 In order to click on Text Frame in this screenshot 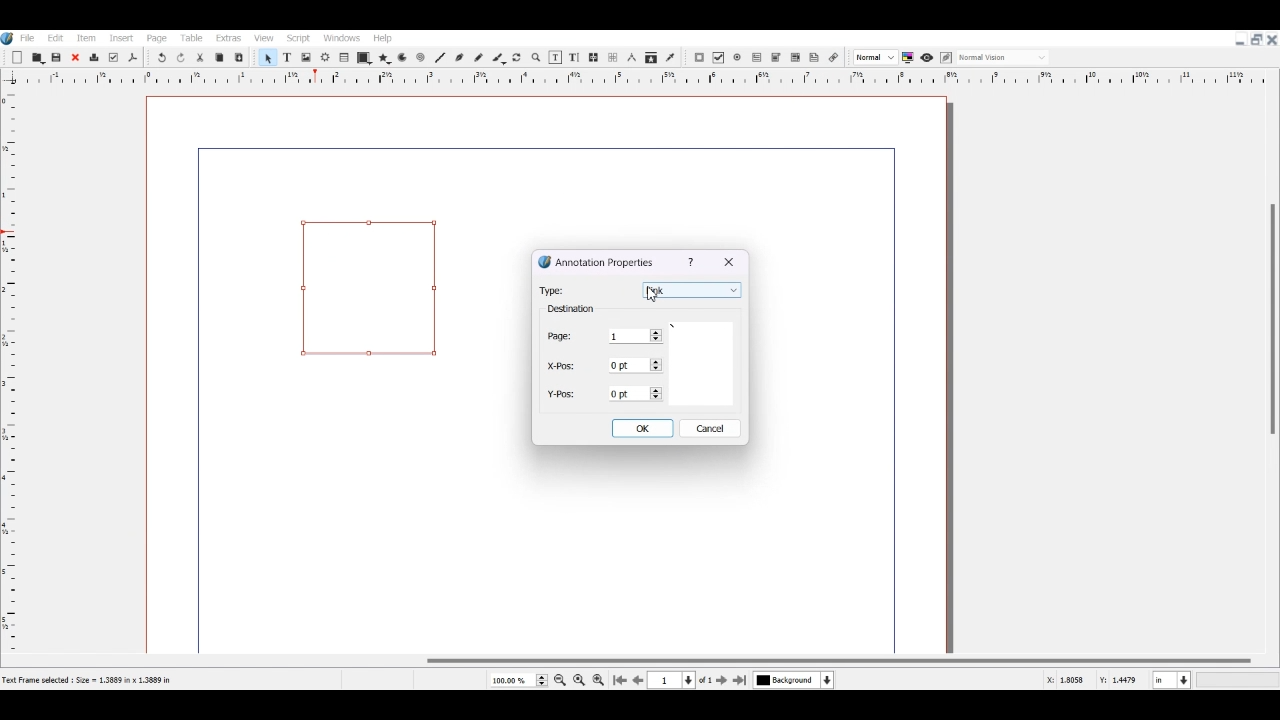, I will do `click(287, 57)`.